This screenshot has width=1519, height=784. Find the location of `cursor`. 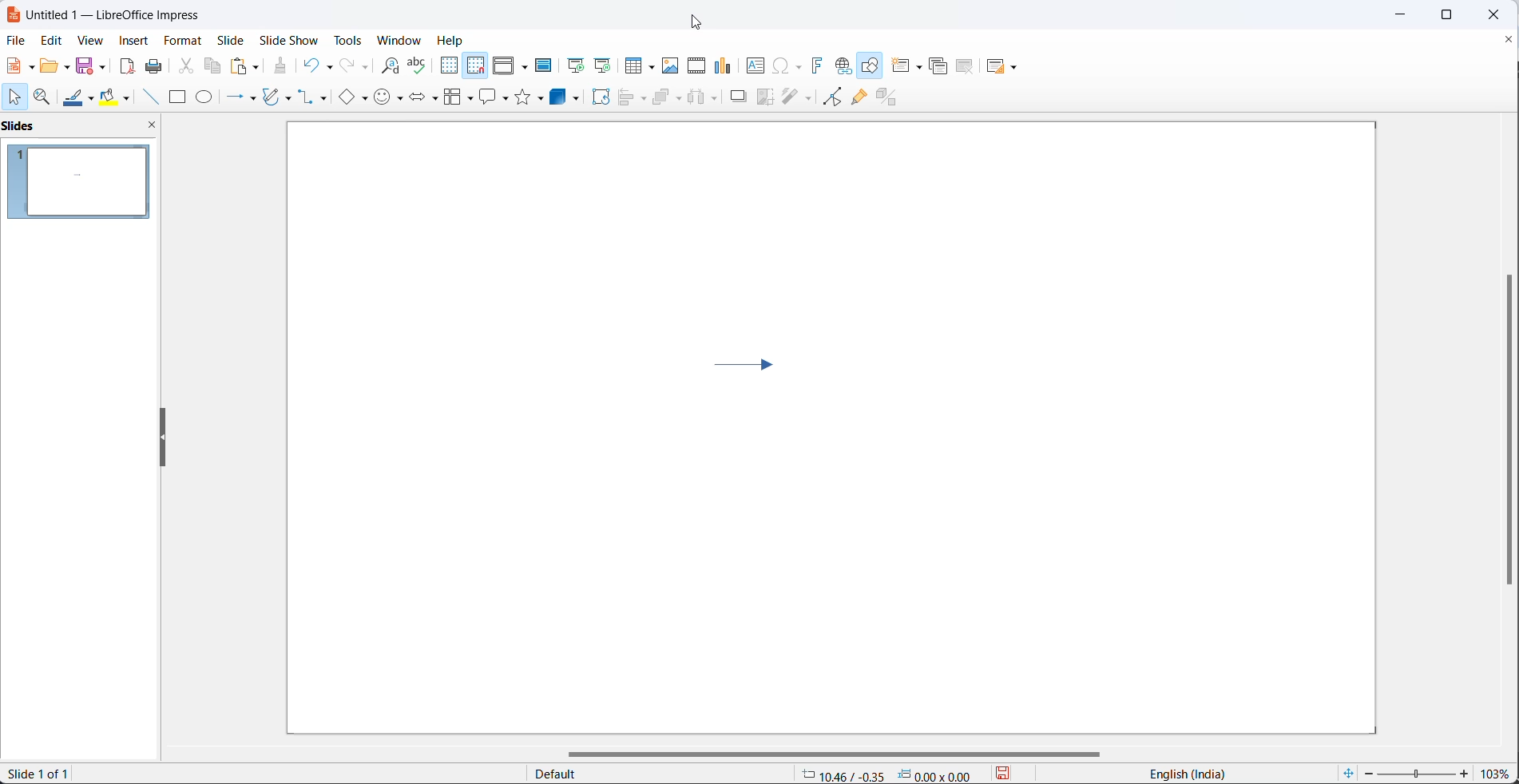

cursor is located at coordinates (18, 98).